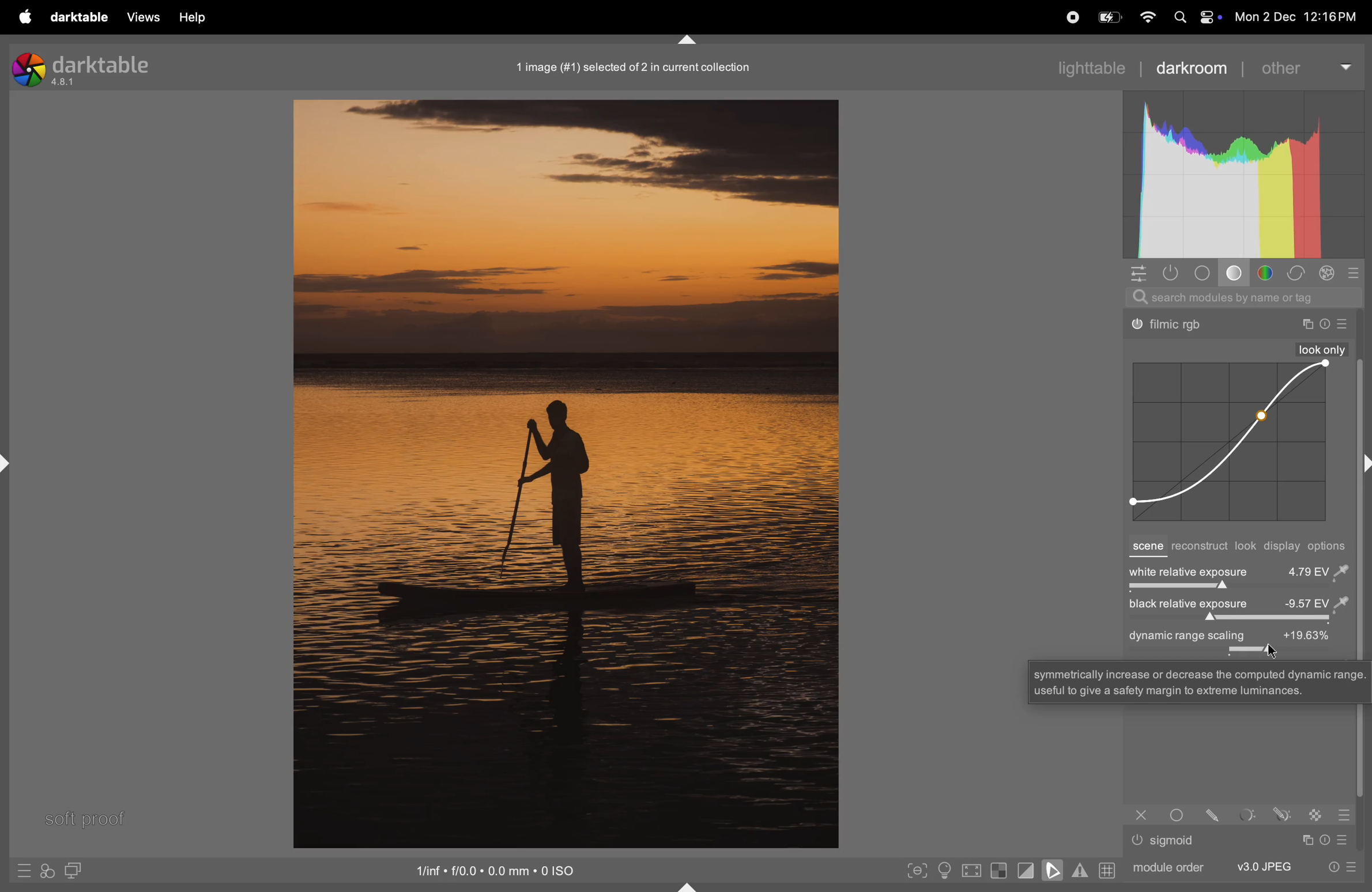 The width and height of the screenshot is (1372, 892). What do you see at coordinates (1306, 840) in the screenshot?
I see `` at bounding box center [1306, 840].